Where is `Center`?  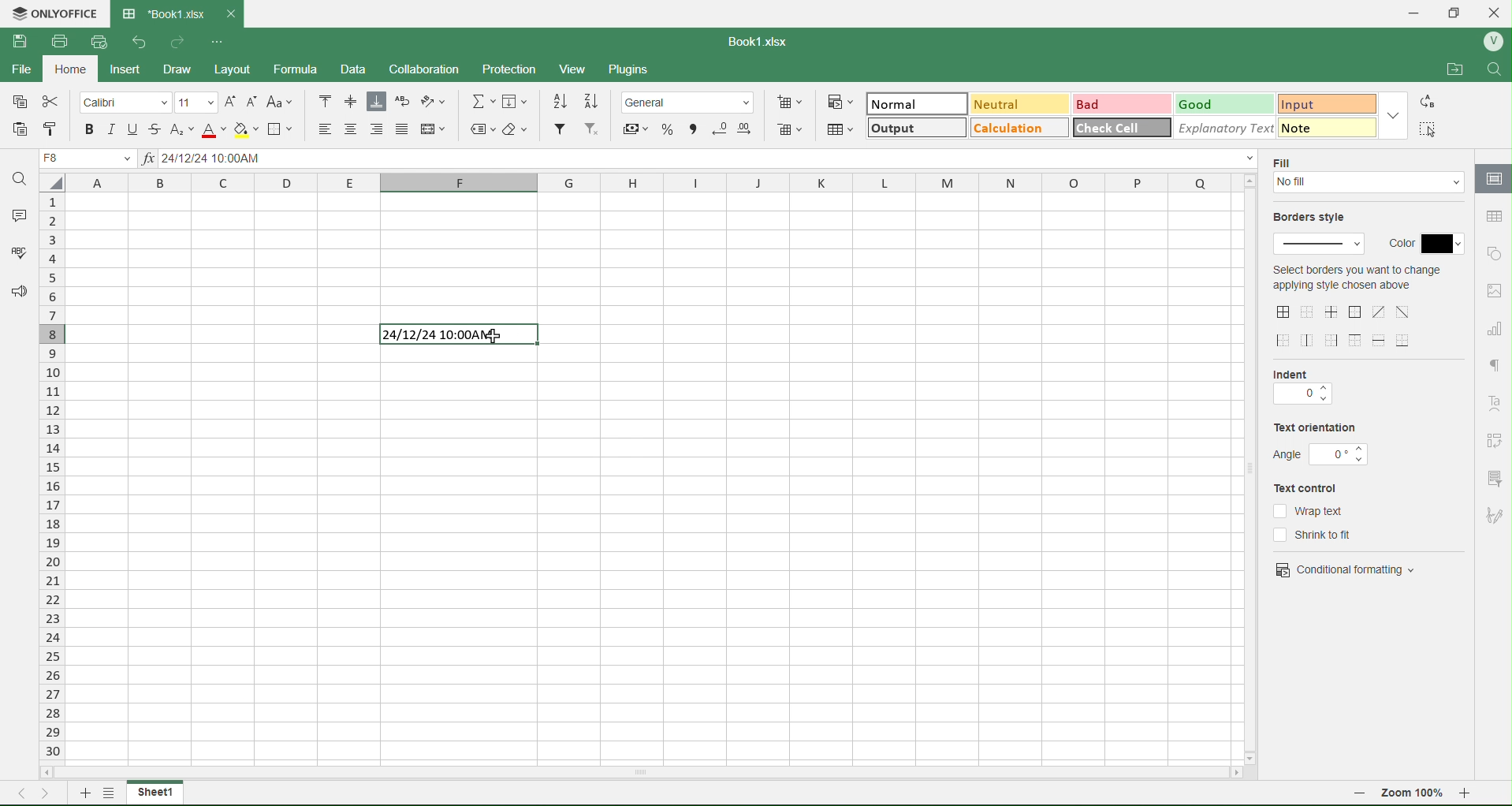 Center is located at coordinates (352, 129).